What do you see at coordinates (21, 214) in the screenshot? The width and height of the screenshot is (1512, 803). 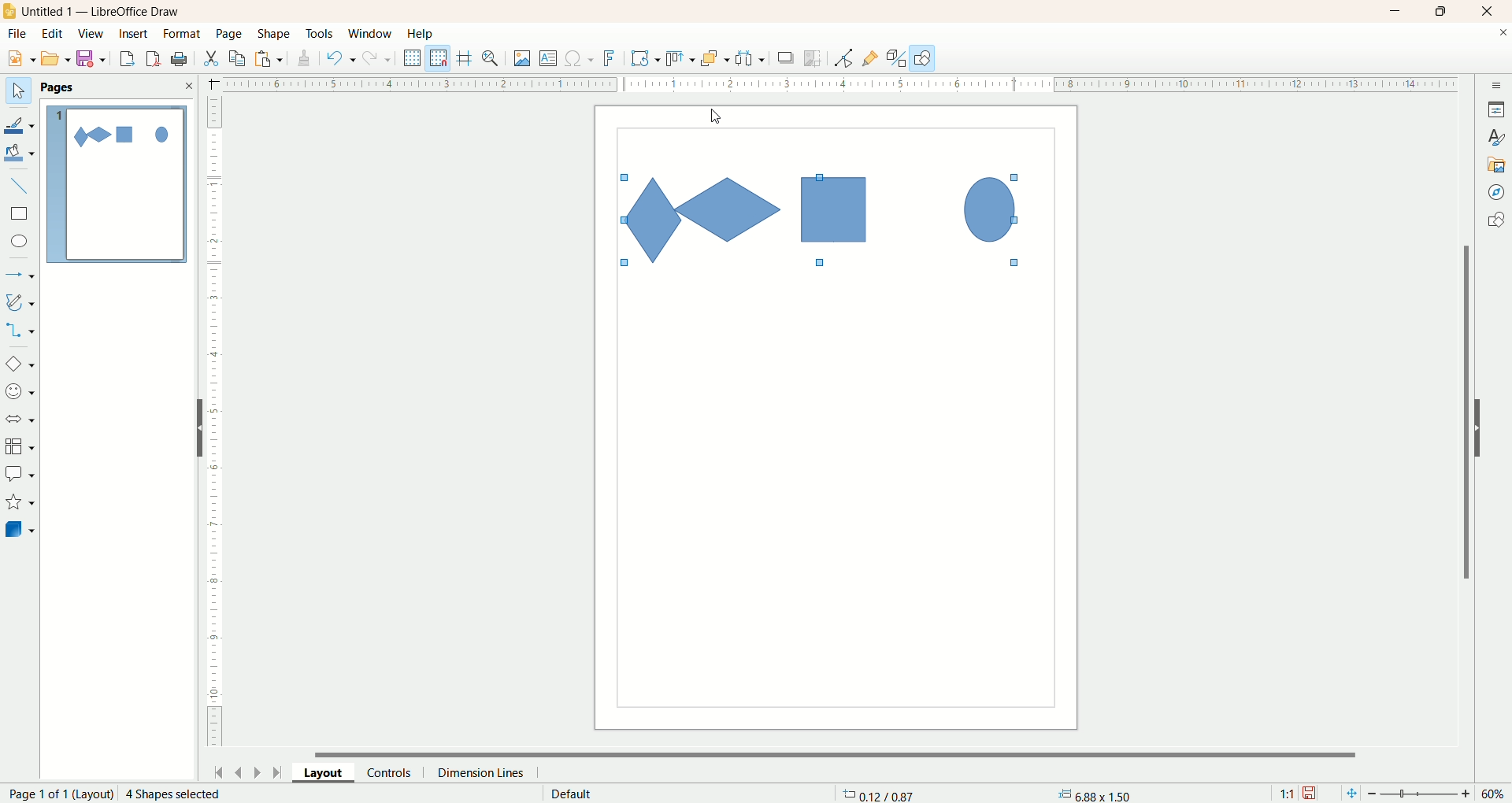 I see `rectangle` at bounding box center [21, 214].